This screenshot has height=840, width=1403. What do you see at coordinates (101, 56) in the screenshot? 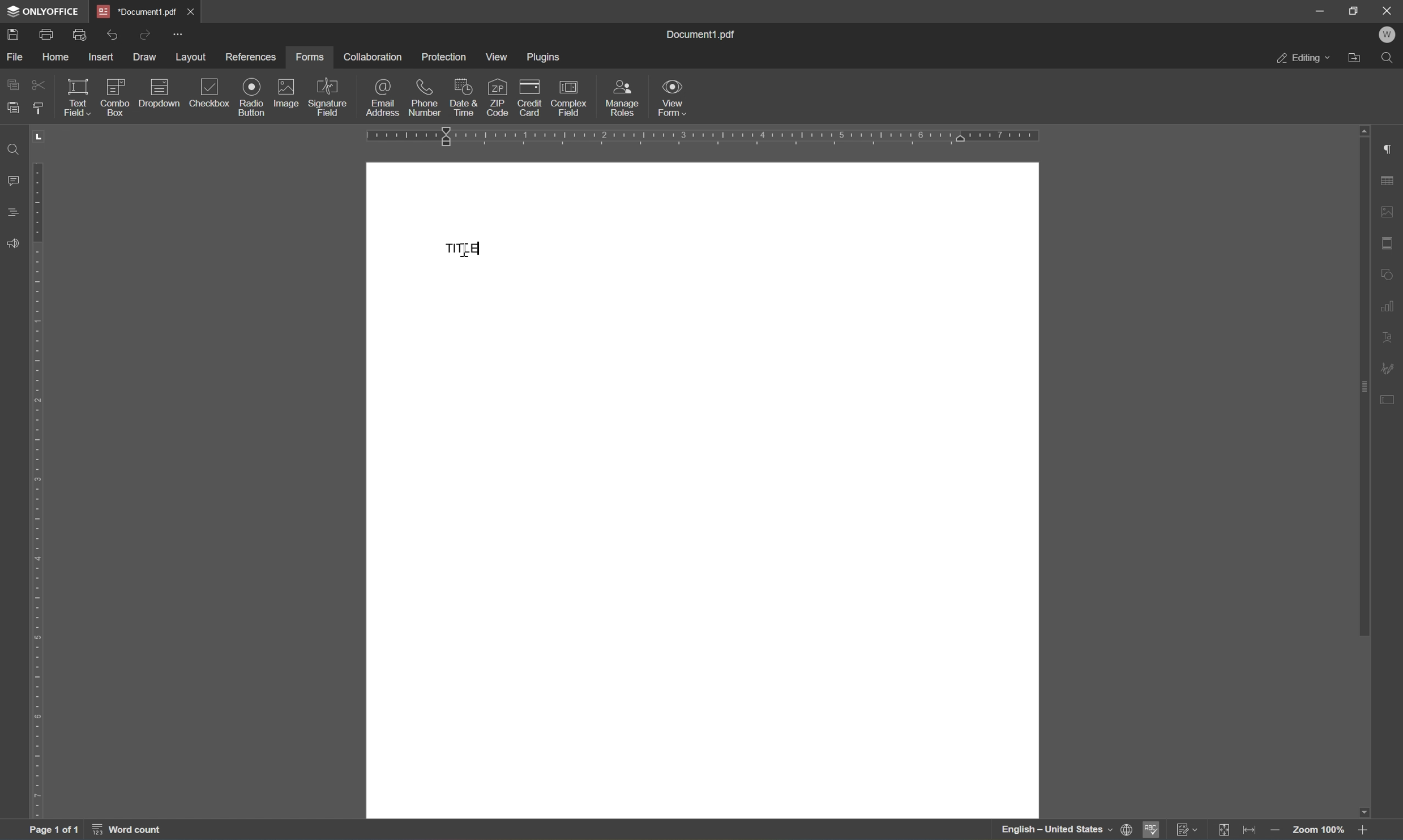
I see `insert` at bounding box center [101, 56].